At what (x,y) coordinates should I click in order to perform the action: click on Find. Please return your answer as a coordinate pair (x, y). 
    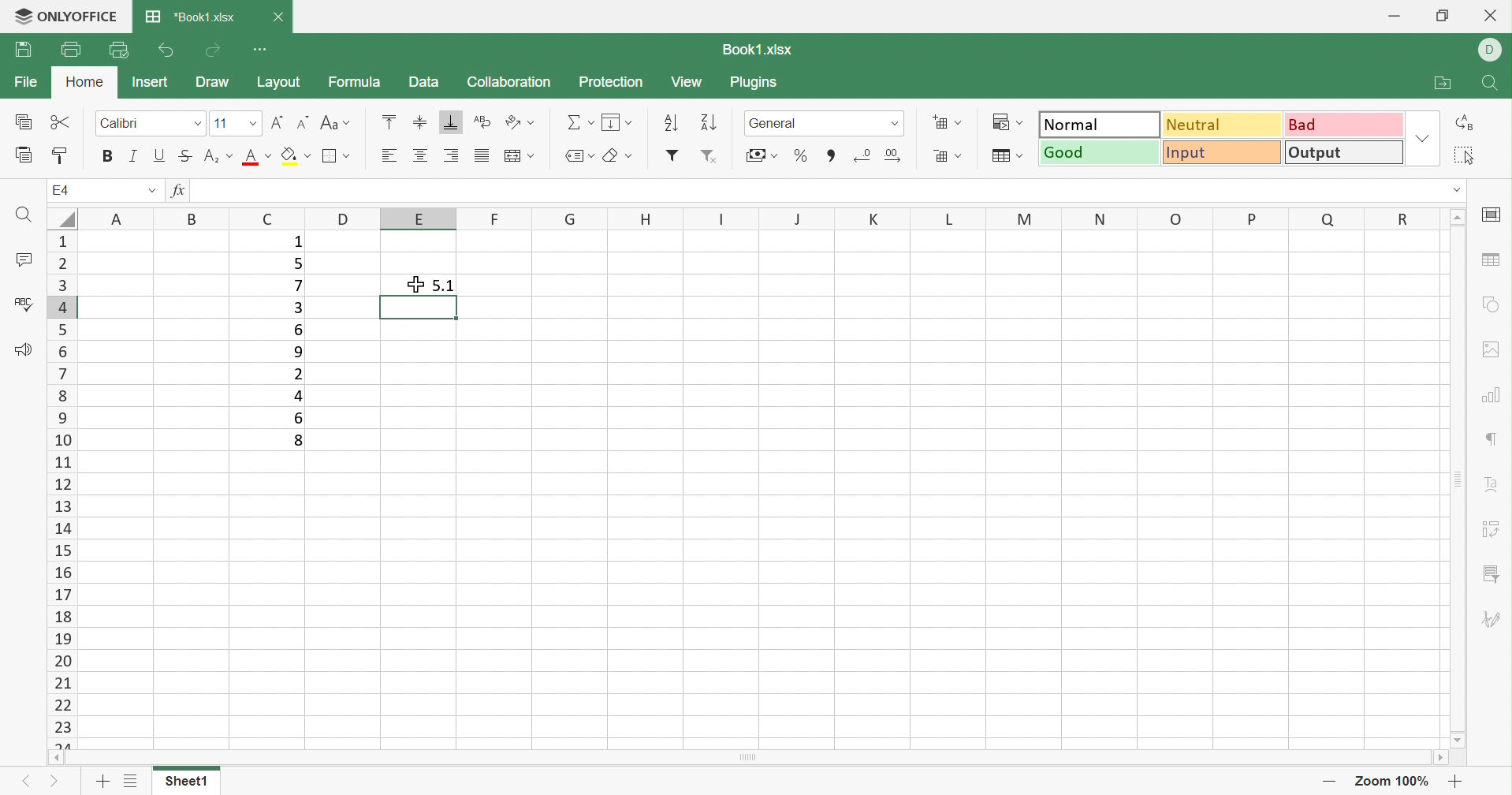
    Looking at the image, I should click on (21, 216).